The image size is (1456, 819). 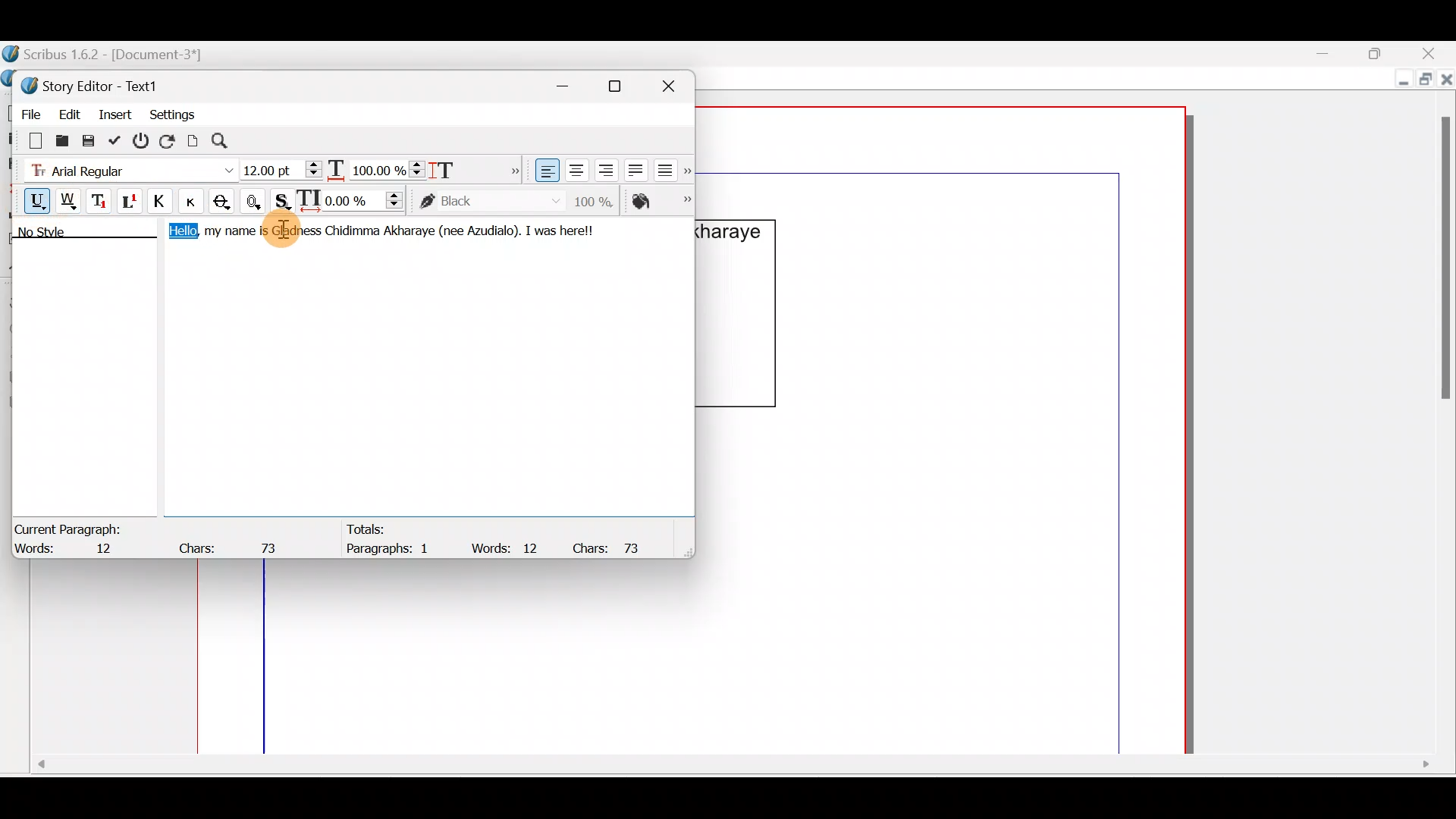 What do you see at coordinates (228, 141) in the screenshot?
I see `Search/replace` at bounding box center [228, 141].